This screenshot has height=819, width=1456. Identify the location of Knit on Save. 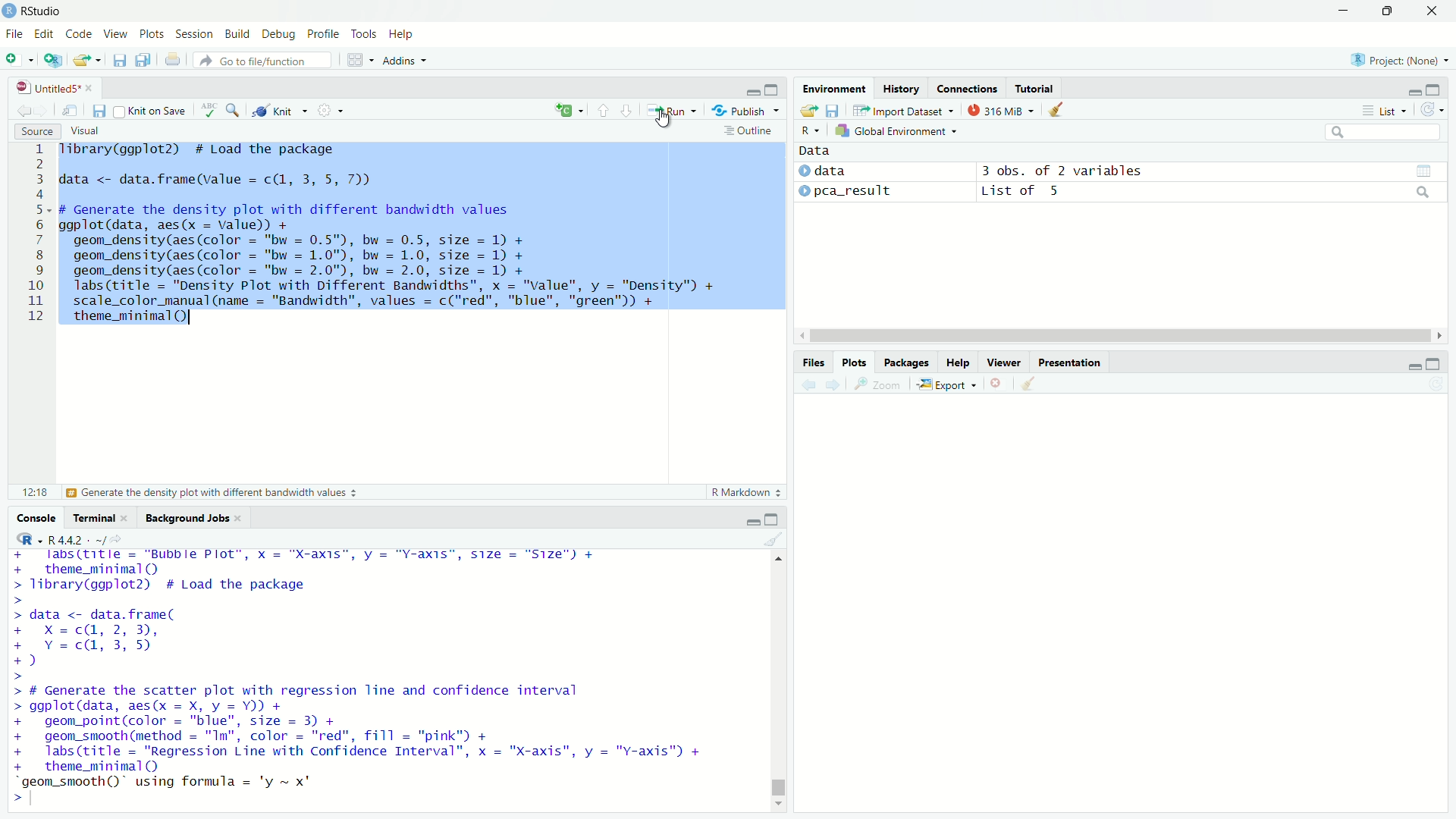
(152, 111).